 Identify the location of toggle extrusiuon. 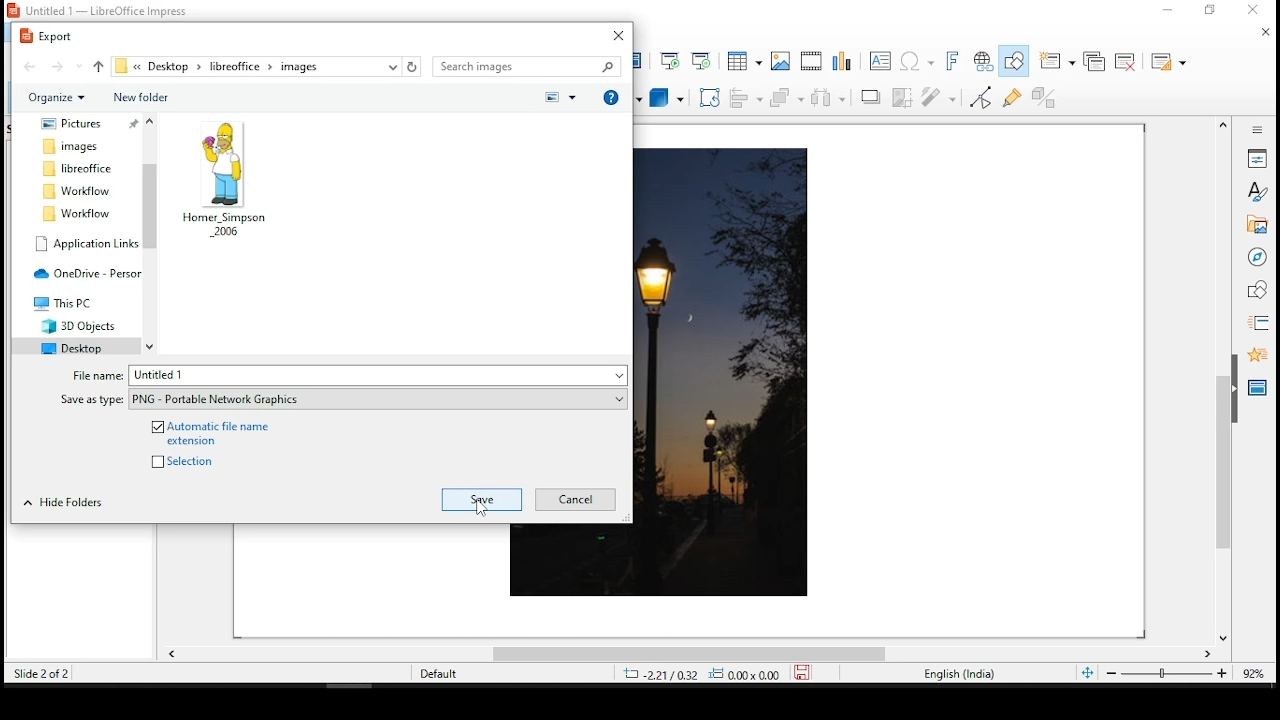
(1050, 96).